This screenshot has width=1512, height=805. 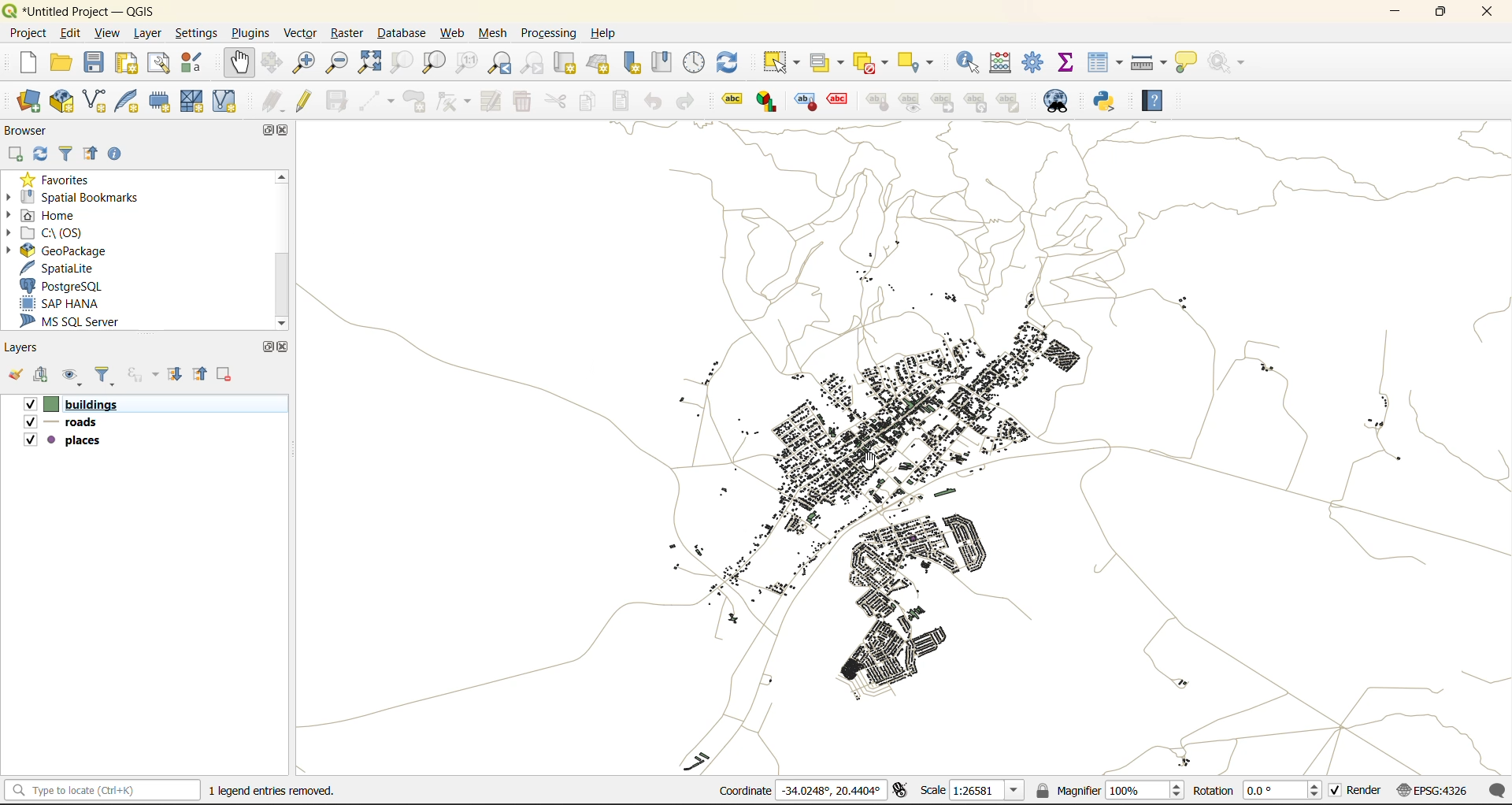 What do you see at coordinates (74, 421) in the screenshot?
I see `roads` at bounding box center [74, 421].